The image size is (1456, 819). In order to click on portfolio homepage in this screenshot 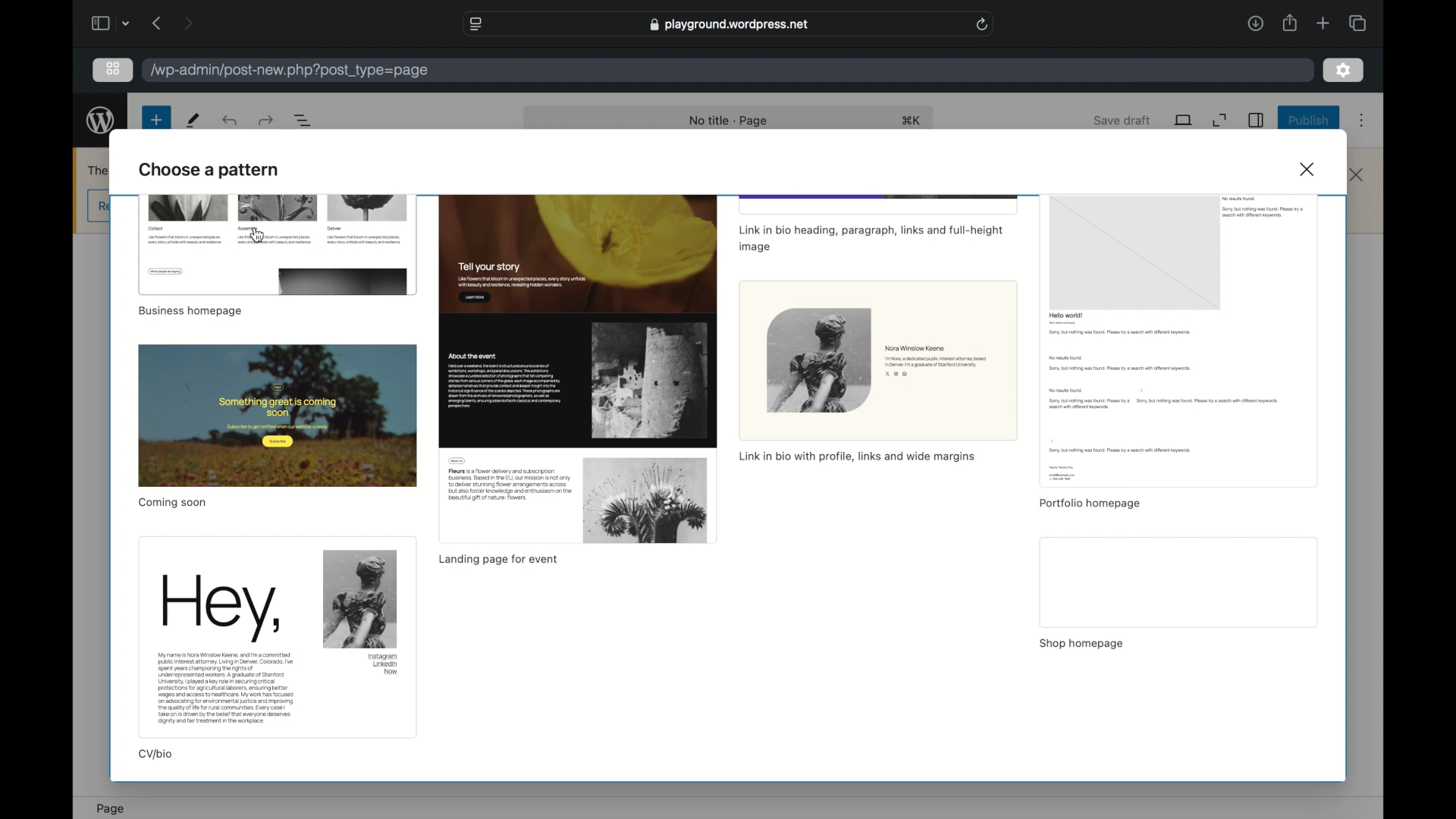, I will do `click(1089, 504)`.